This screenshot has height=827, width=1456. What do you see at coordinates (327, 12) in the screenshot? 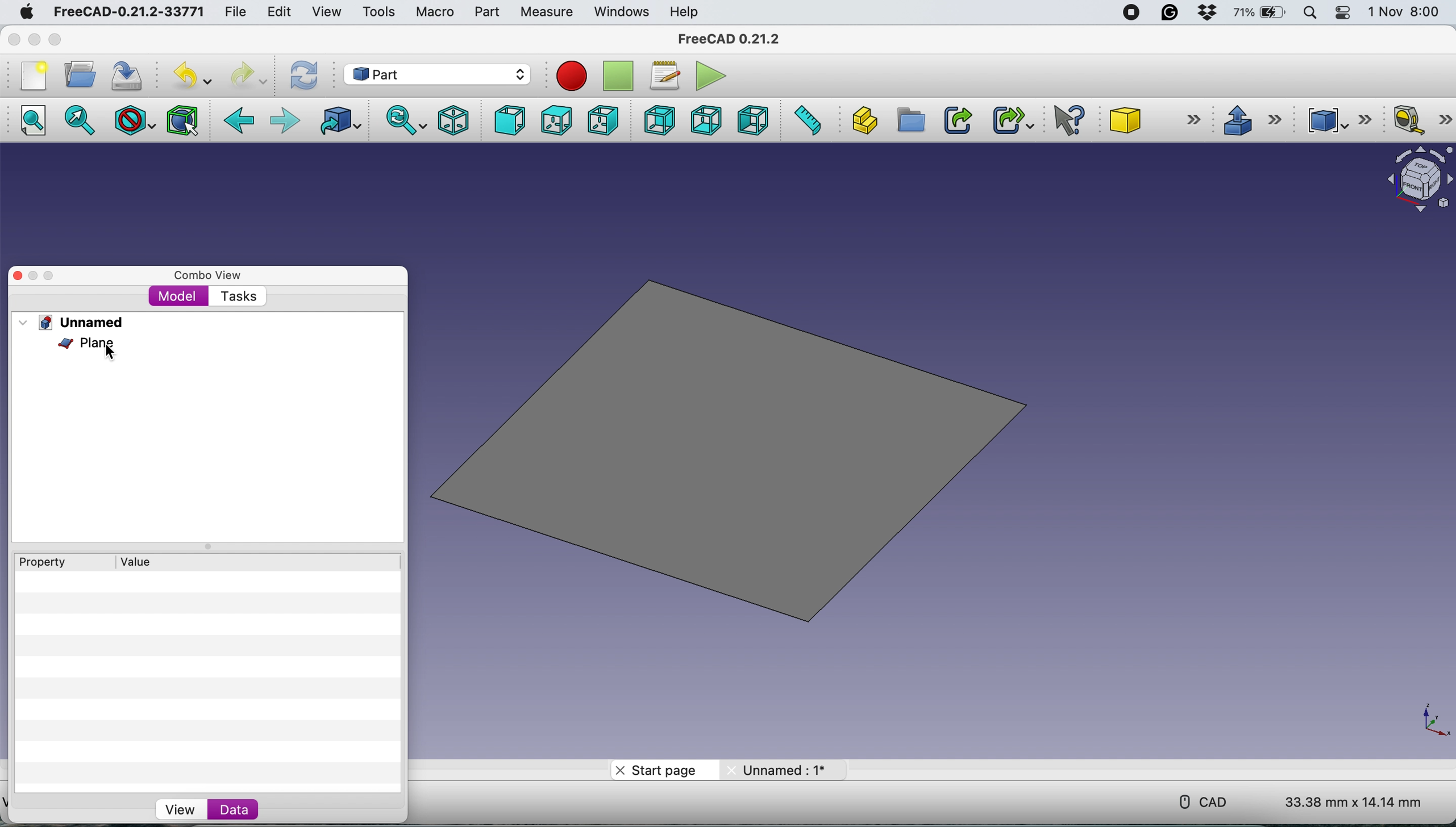
I see `view` at bounding box center [327, 12].